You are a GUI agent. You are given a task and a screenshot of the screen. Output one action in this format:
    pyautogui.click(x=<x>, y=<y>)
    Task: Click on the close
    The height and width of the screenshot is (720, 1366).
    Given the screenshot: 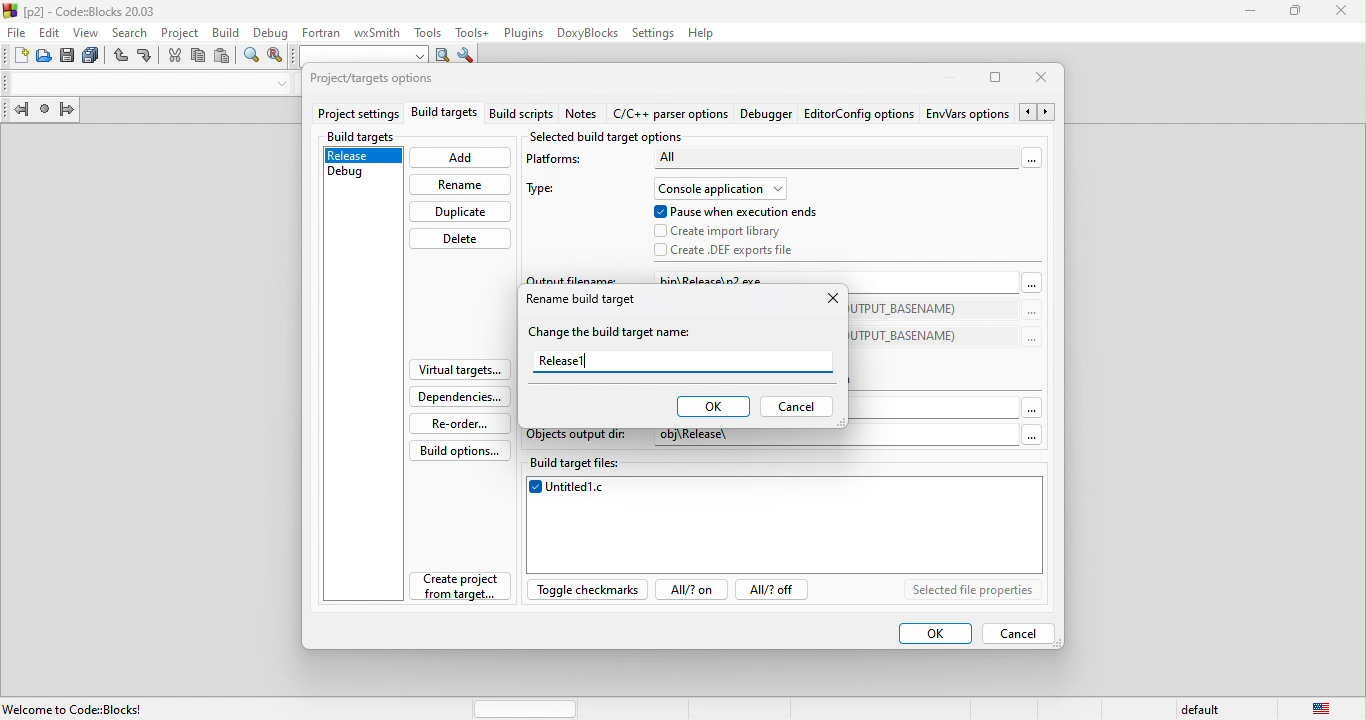 What is the action you would take?
    pyautogui.click(x=829, y=301)
    